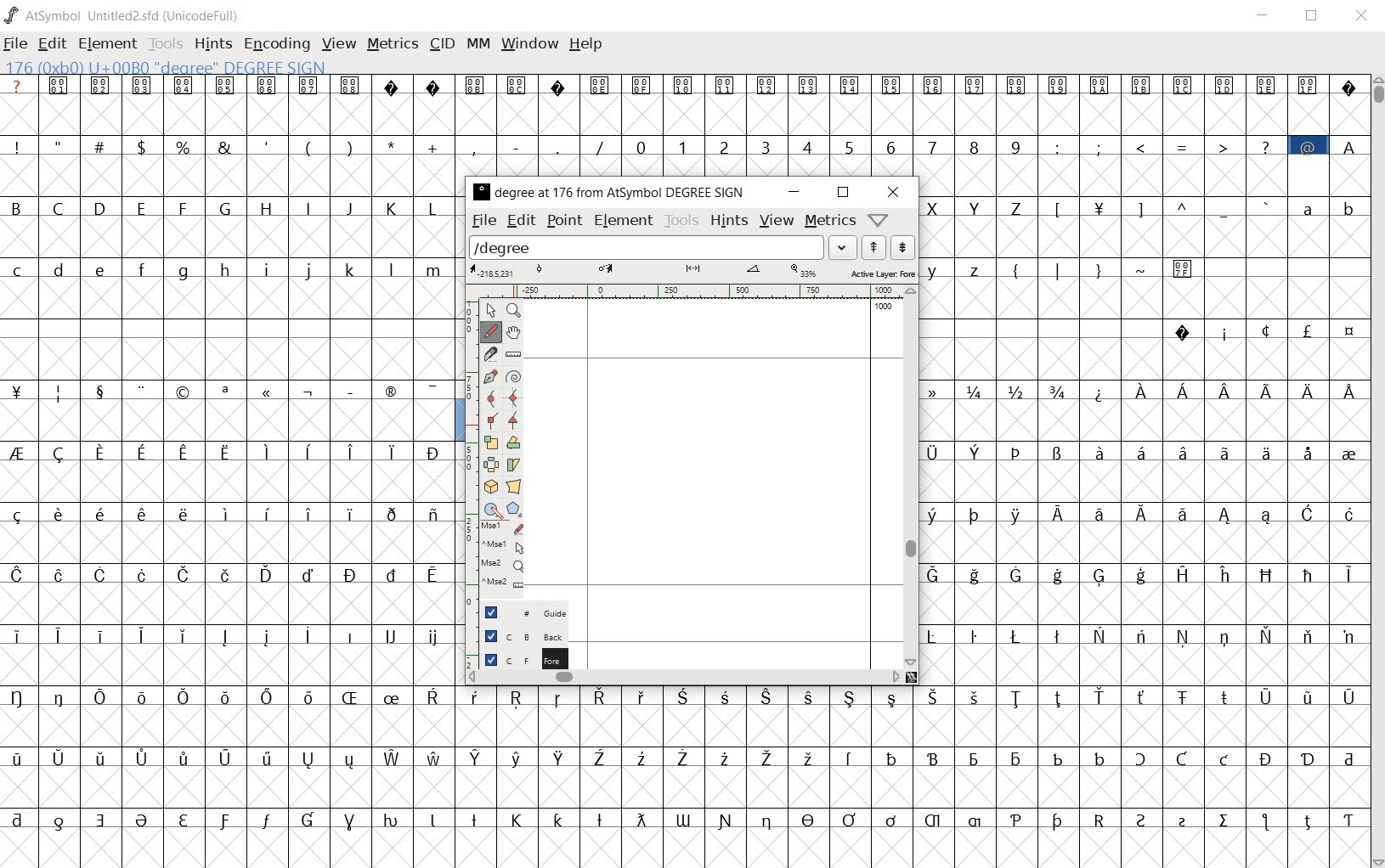 The image size is (1385, 868). I want to click on empty glyph slots, so click(682, 114).